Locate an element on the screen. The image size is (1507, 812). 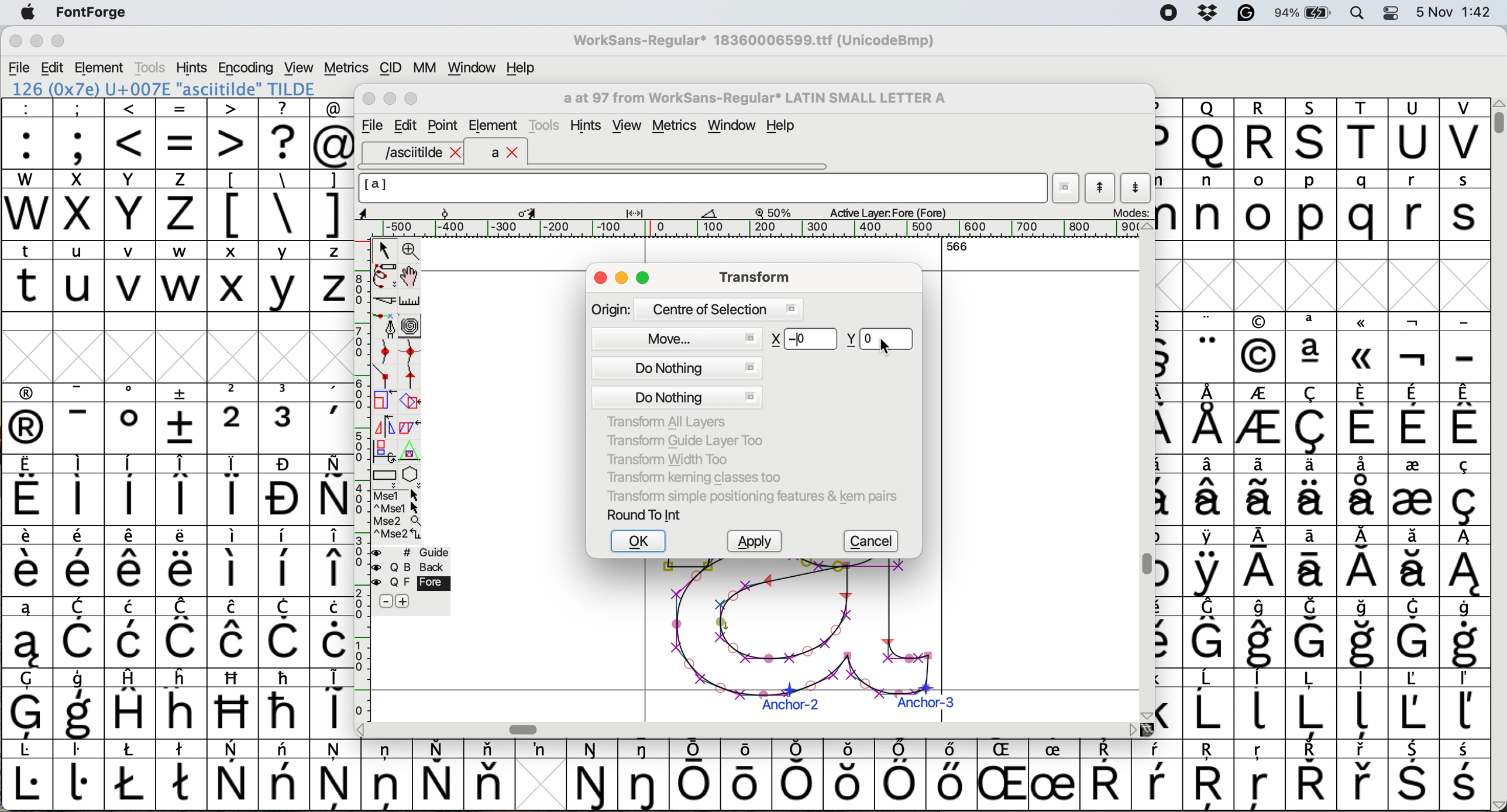
] is located at coordinates (331, 203).